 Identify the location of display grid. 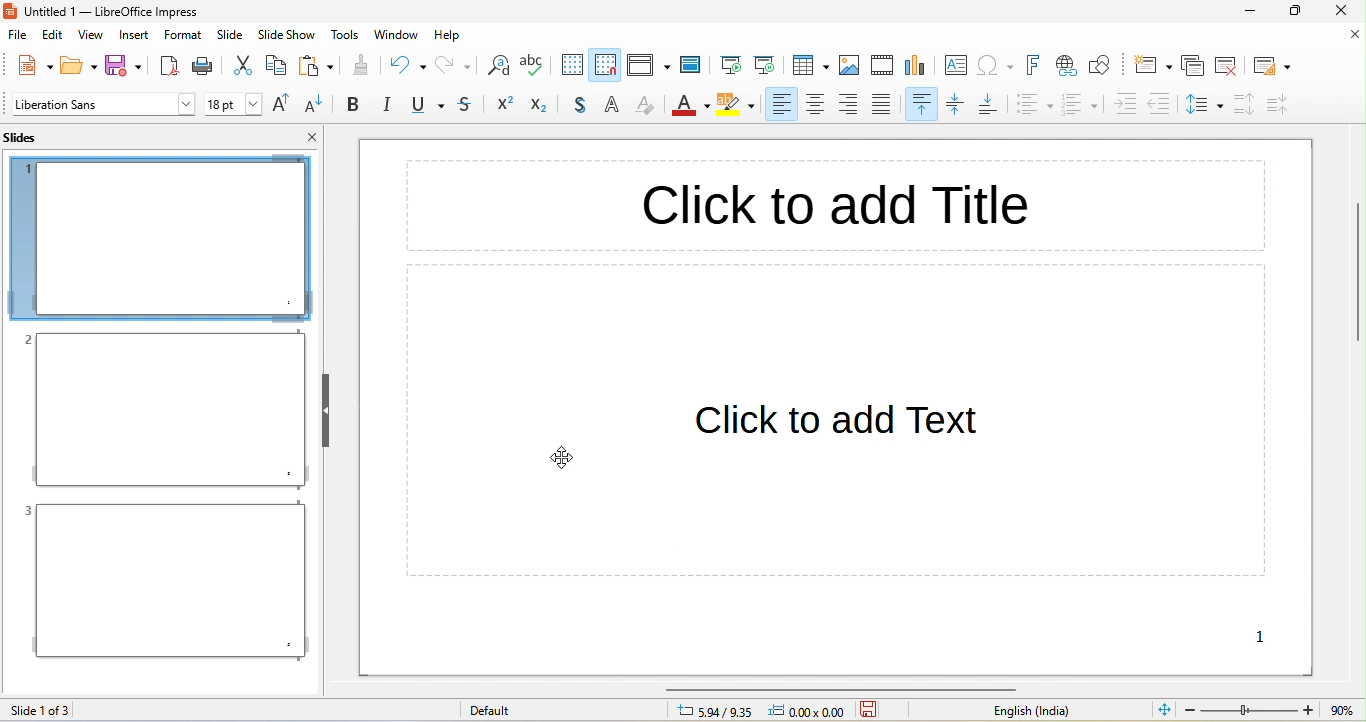
(570, 65).